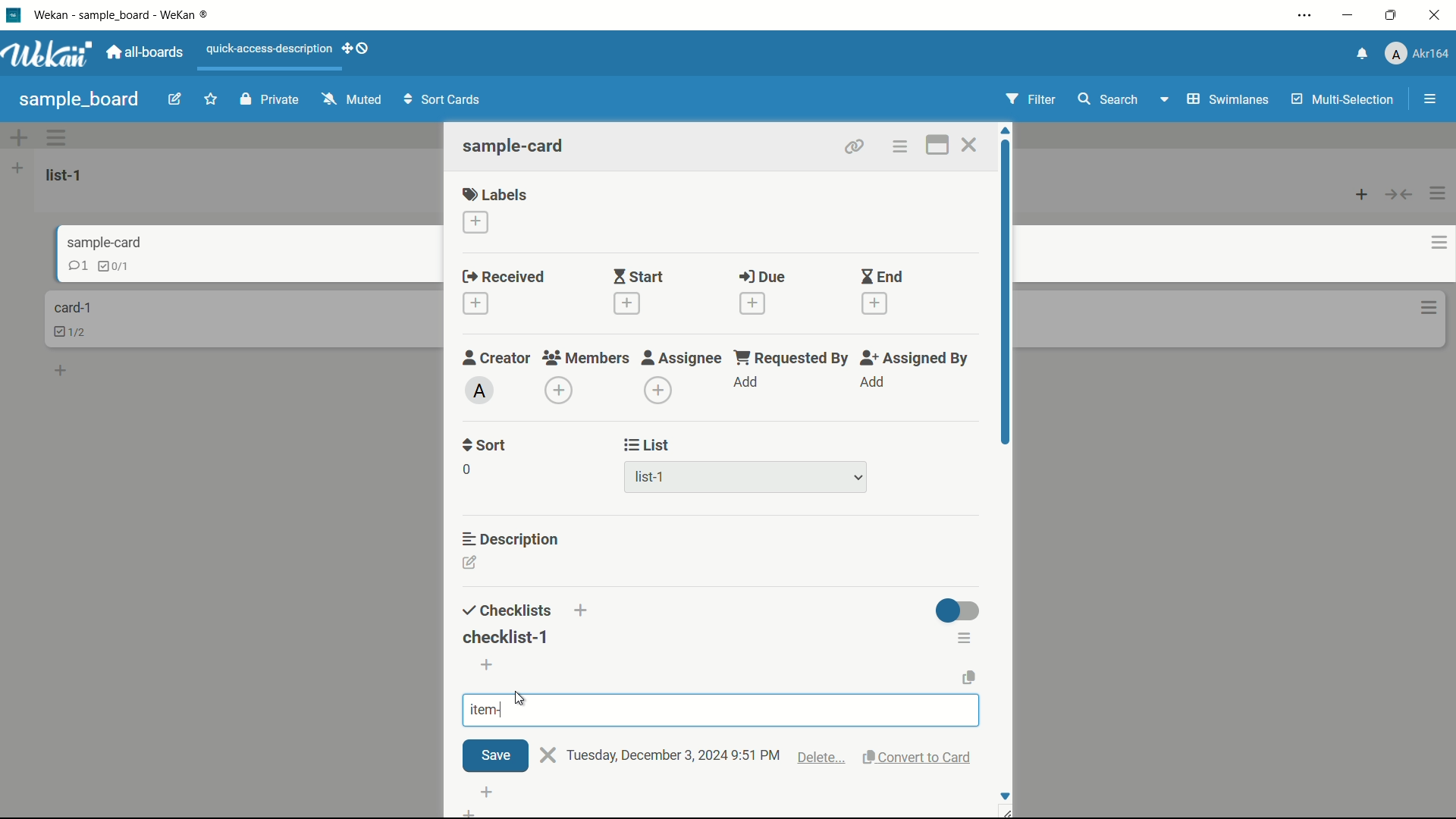 This screenshot has height=819, width=1456. Describe the element at coordinates (1360, 55) in the screenshot. I see `notifications` at that location.